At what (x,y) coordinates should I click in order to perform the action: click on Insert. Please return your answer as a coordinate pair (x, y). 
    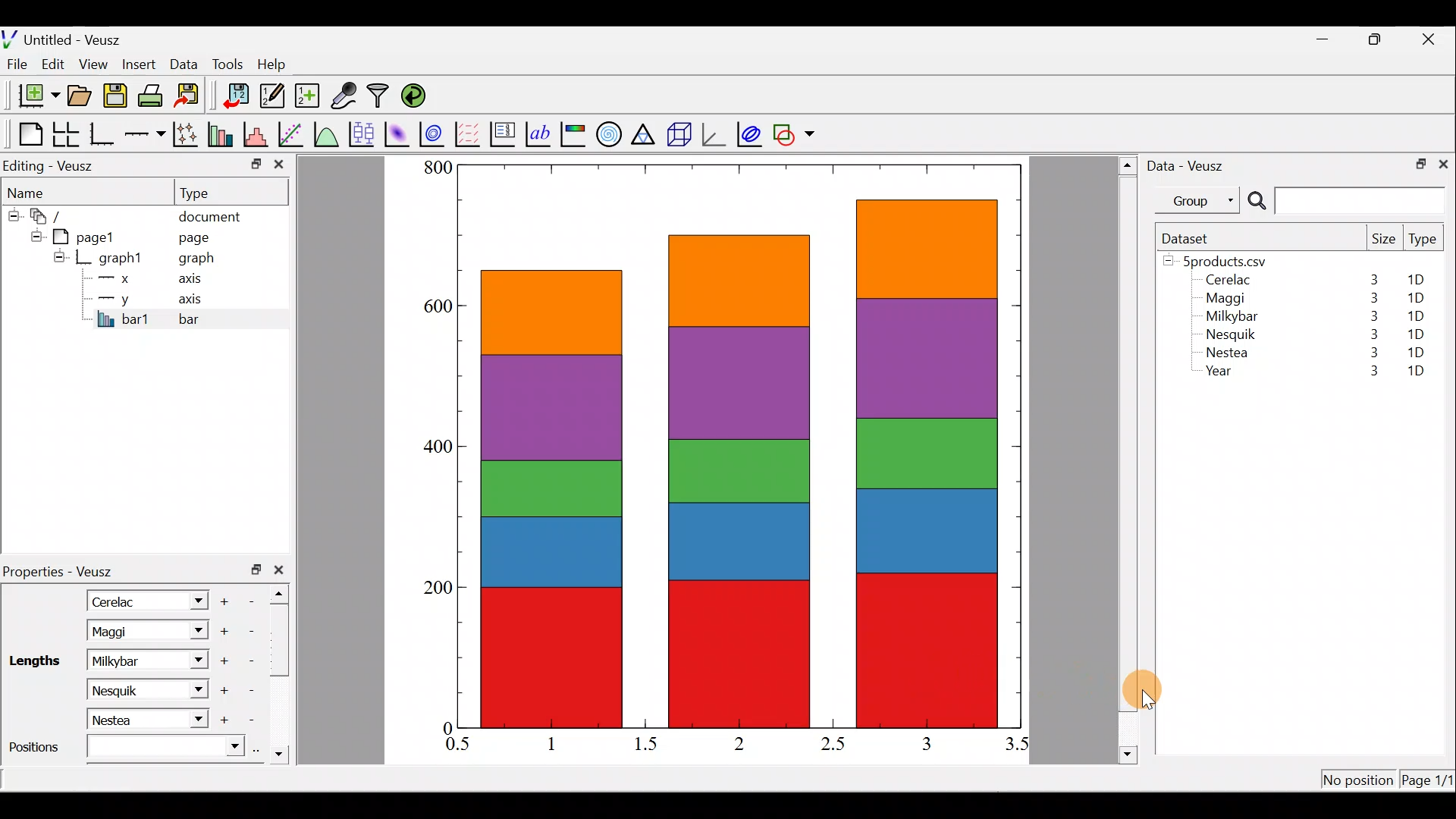
    Looking at the image, I should click on (141, 64).